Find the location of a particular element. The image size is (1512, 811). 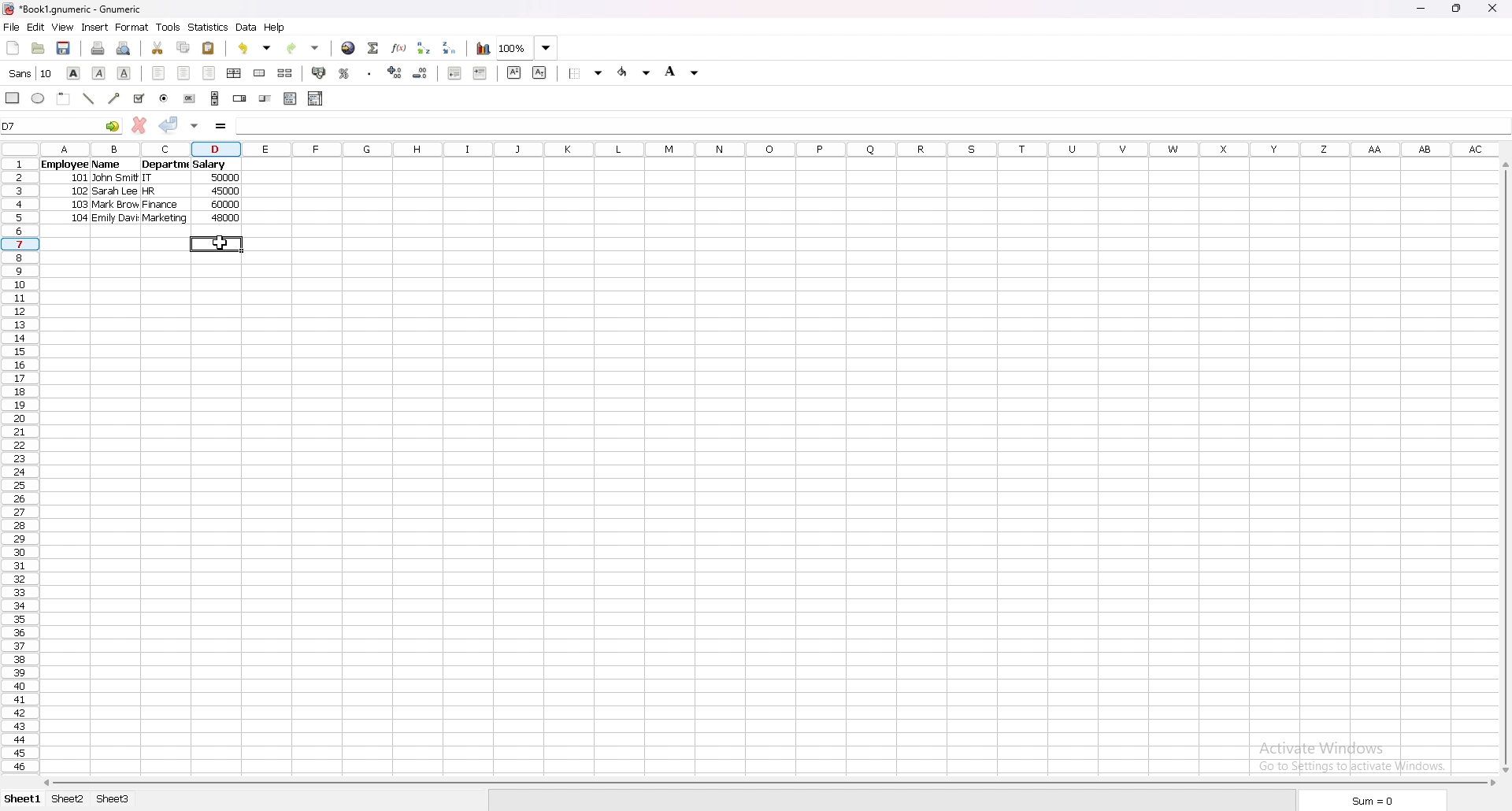

right indent is located at coordinates (209, 73).